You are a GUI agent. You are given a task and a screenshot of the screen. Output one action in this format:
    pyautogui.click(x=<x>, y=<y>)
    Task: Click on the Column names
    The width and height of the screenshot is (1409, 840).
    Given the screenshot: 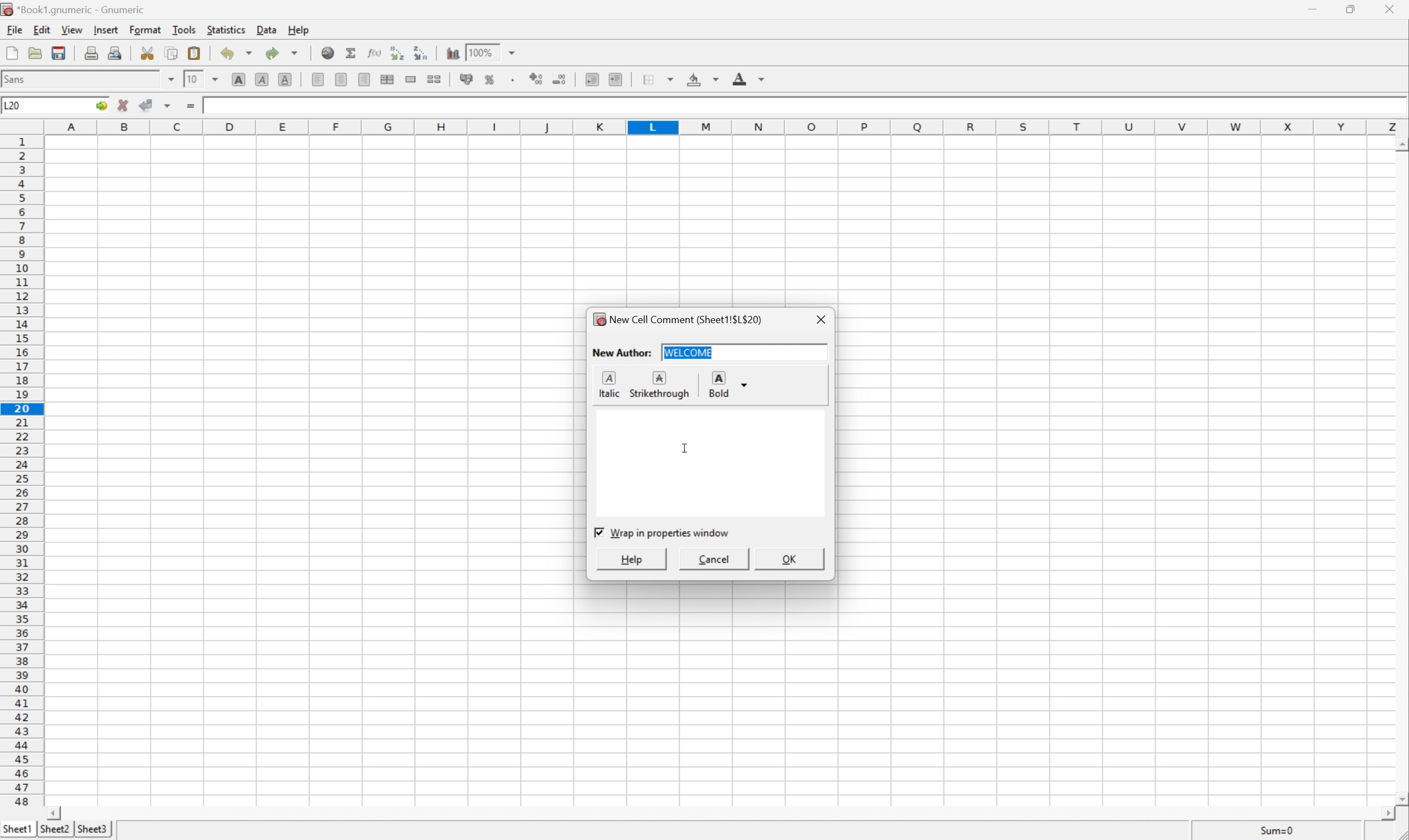 What is the action you would take?
    pyautogui.click(x=727, y=127)
    